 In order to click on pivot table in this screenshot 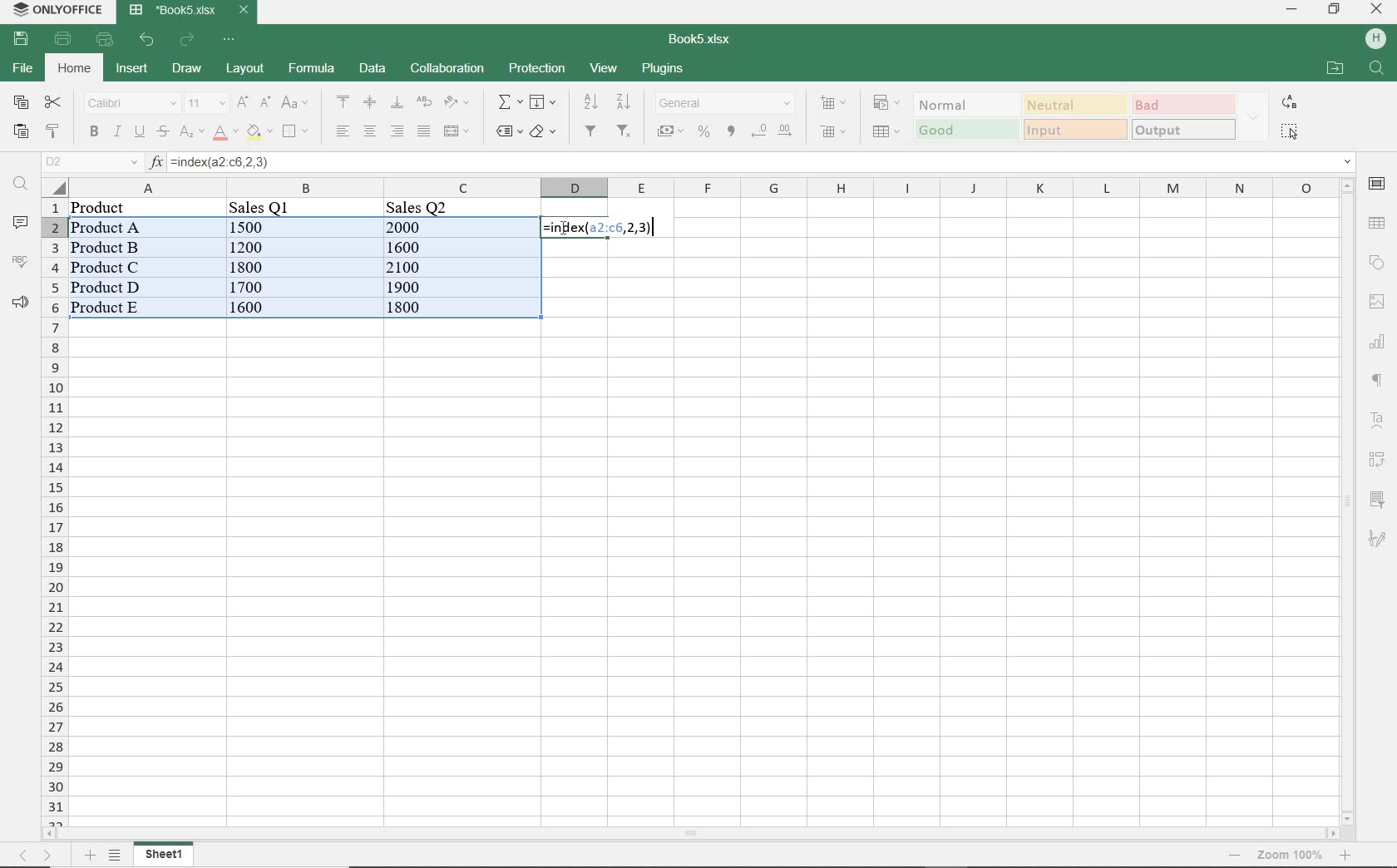, I will do `click(1377, 461)`.